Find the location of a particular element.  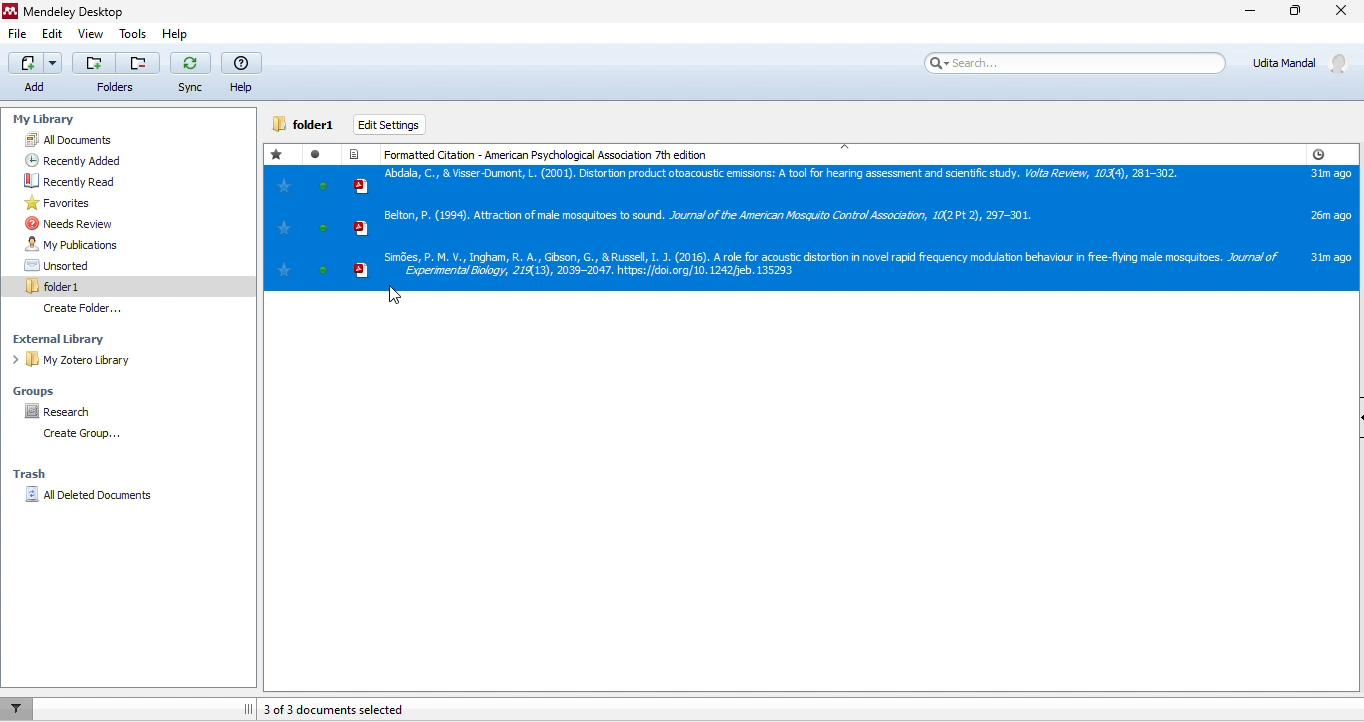

research is located at coordinates (83, 414).